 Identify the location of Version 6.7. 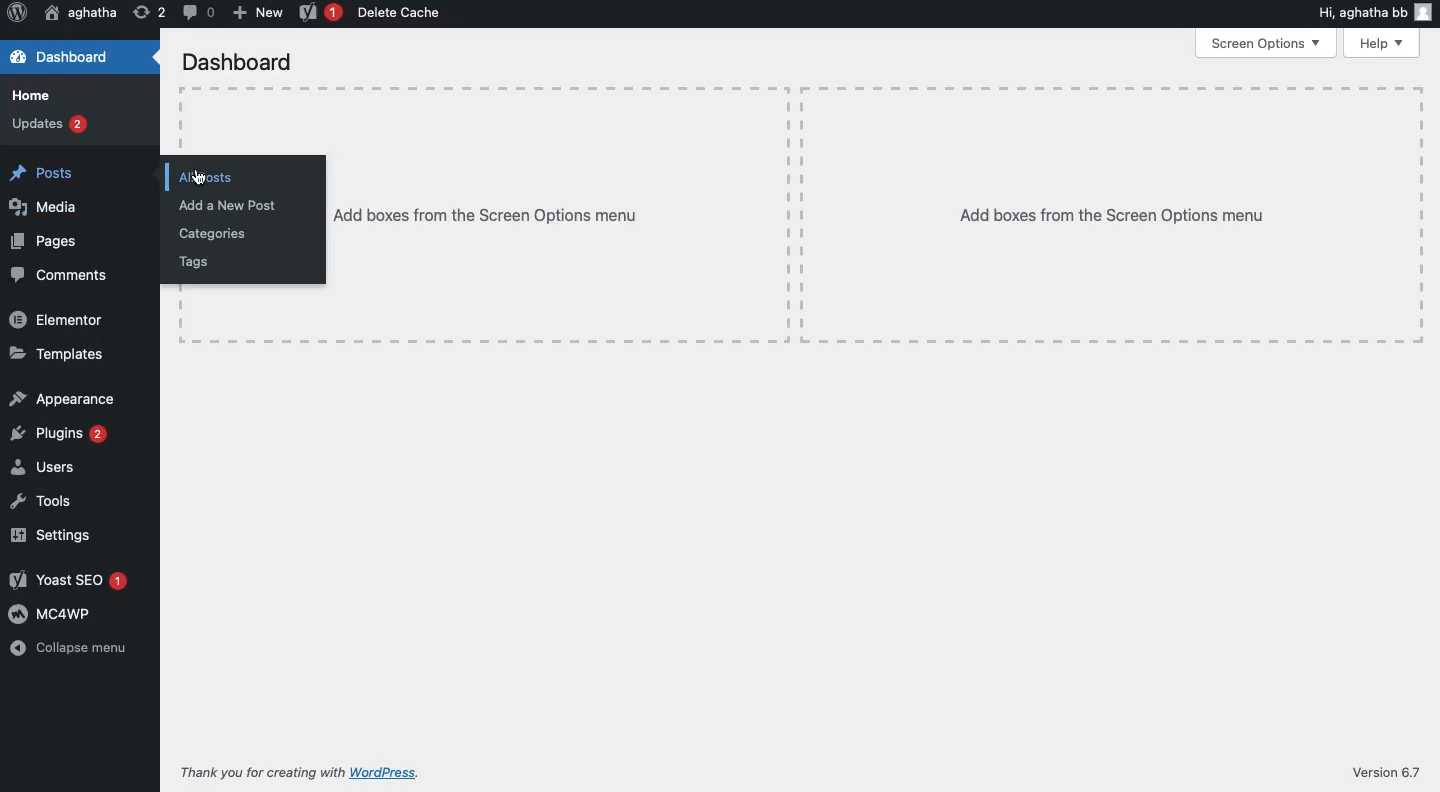
(1384, 772).